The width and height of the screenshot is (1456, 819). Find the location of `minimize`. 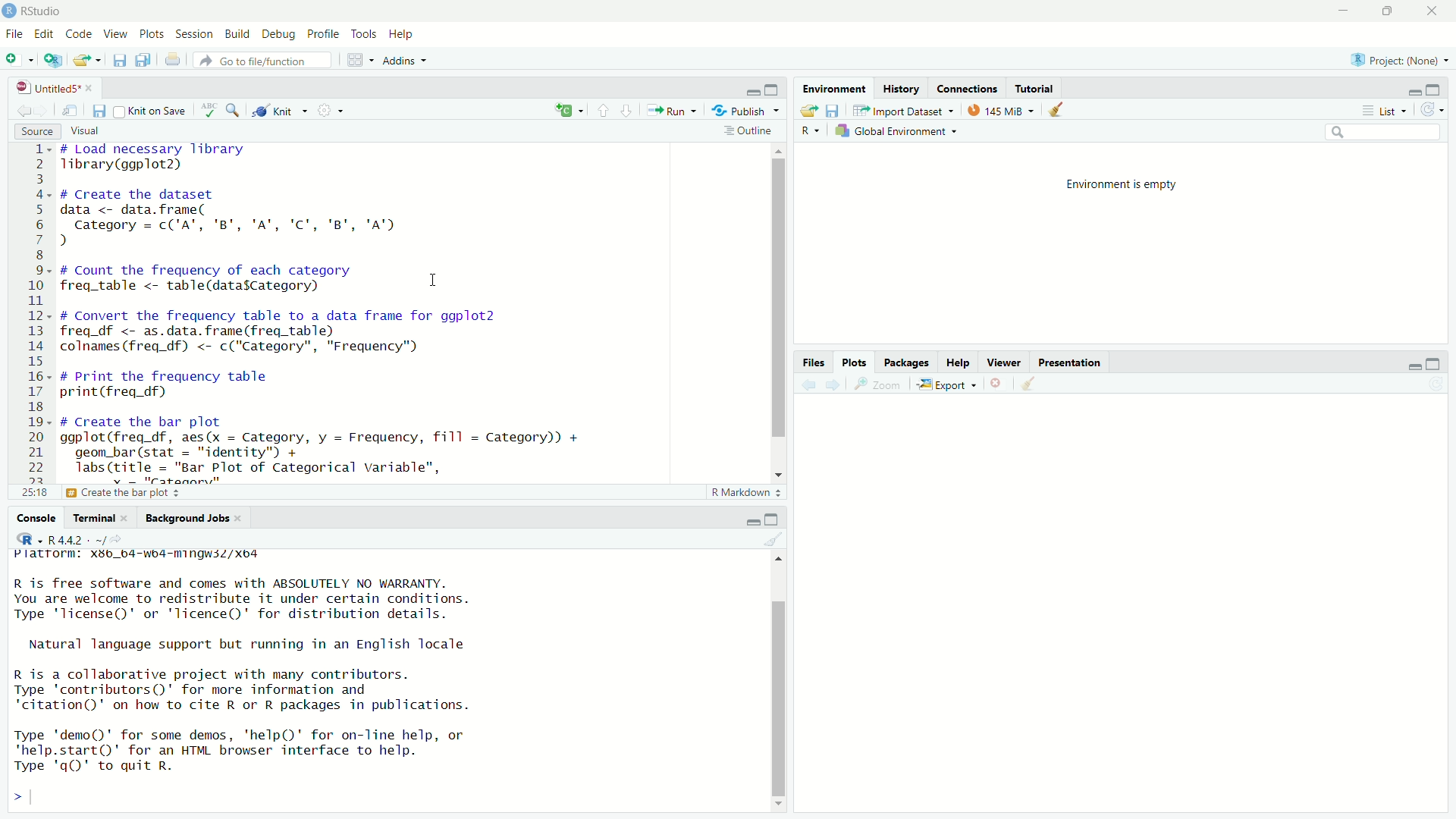

minimize is located at coordinates (1413, 91).